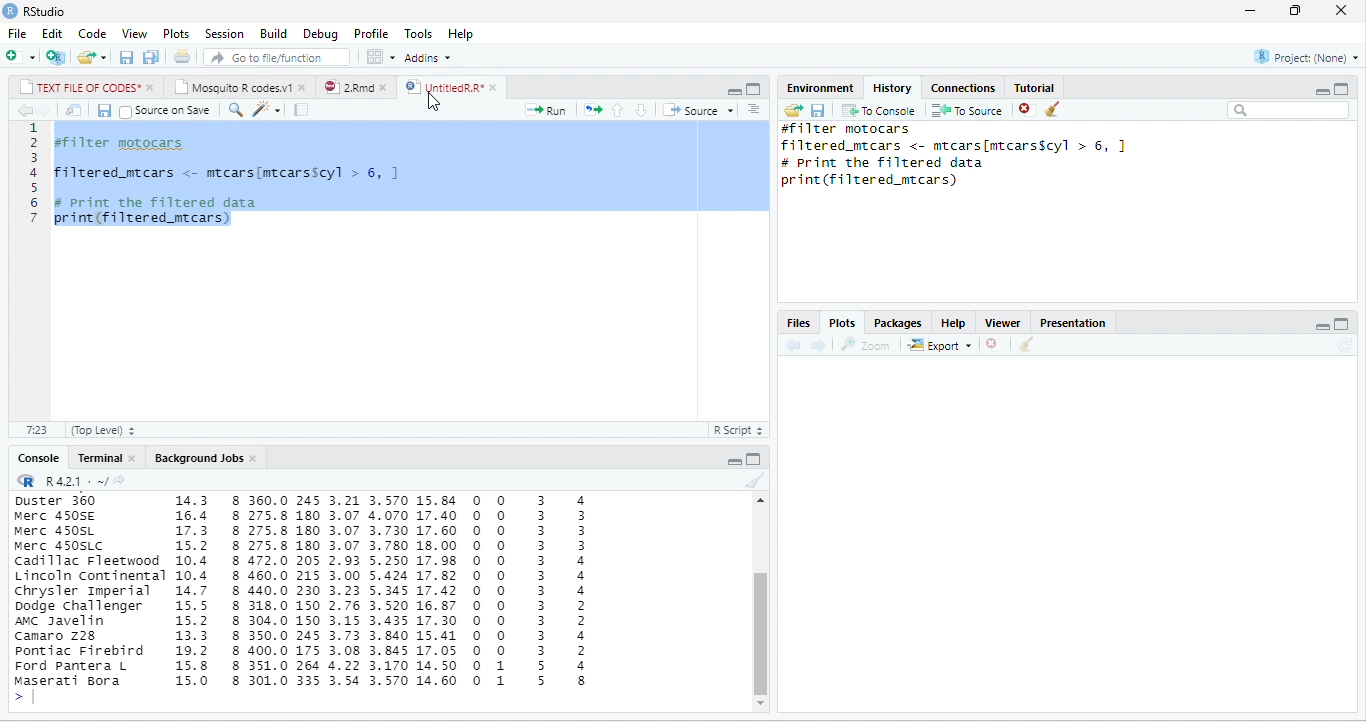 Image resolution: width=1366 pixels, height=722 pixels. What do you see at coordinates (754, 109) in the screenshot?
I see `options` at bounding box center [754, 109].